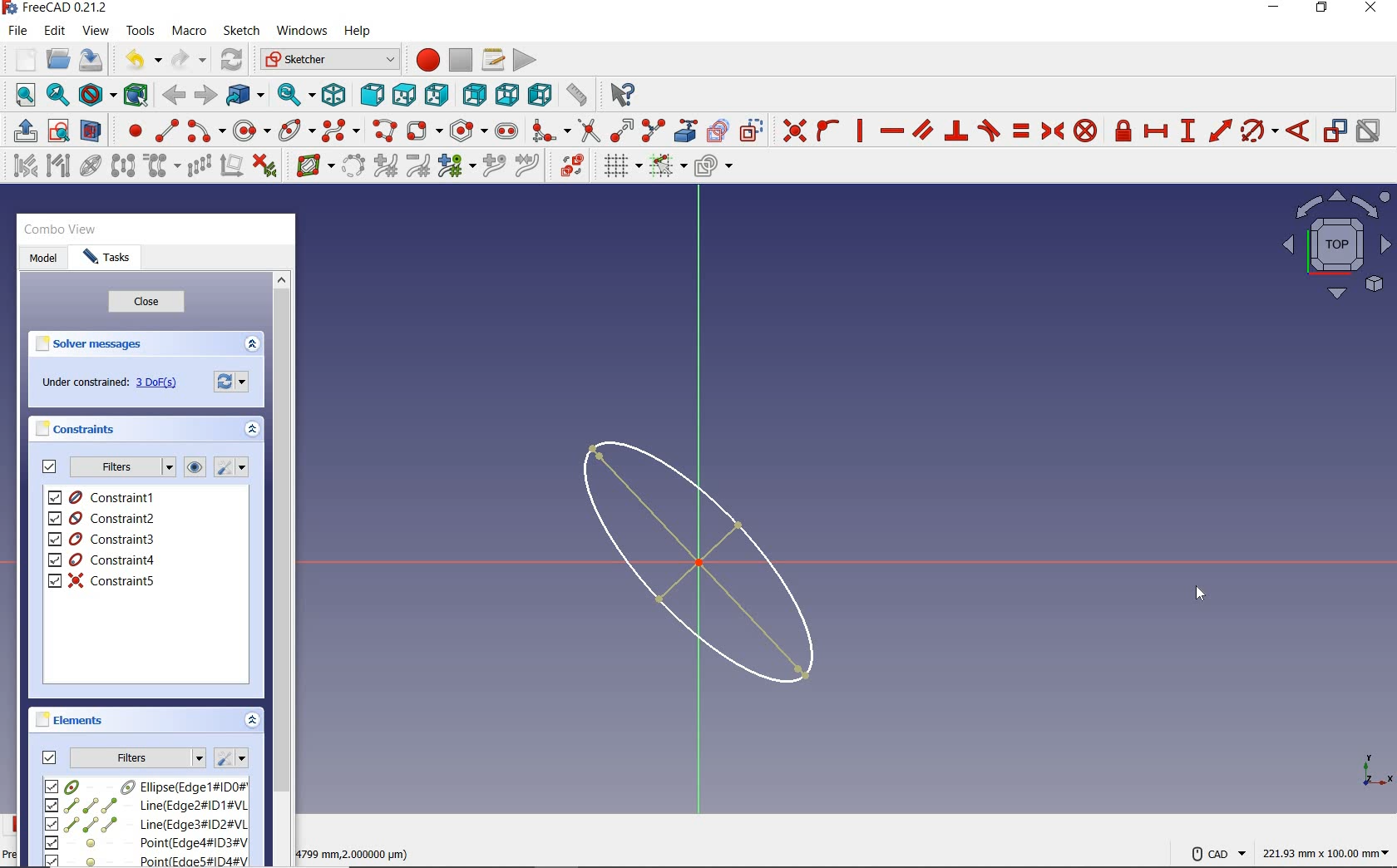 The width and height of the screenshot is (1397, 868). I want to click on collapse, so click(251, 345).